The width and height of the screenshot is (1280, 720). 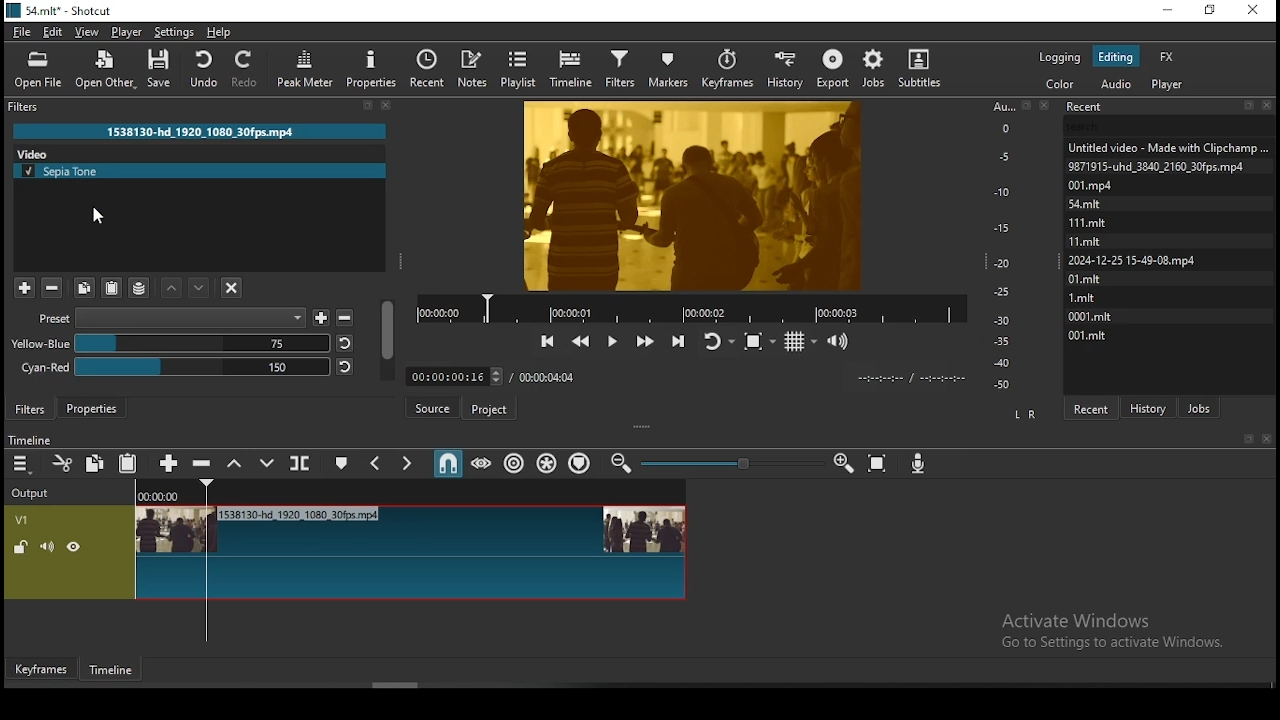 I want to click on keyframes, so click(x=730, y=65).